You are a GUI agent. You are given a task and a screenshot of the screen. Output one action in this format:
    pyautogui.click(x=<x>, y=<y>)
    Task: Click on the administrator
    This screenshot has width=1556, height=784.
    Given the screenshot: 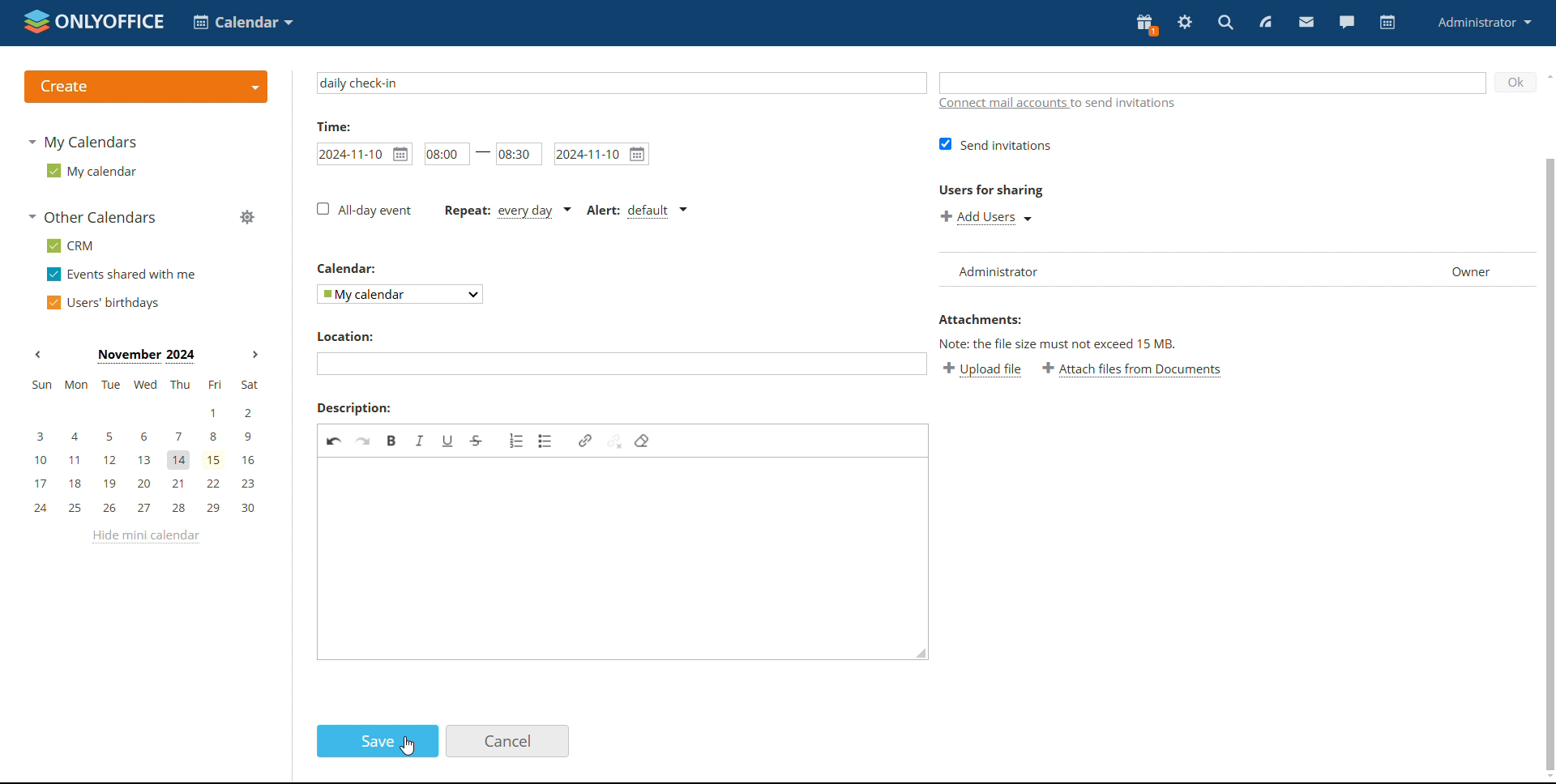 What is the action you would take?
    pyautogui.click(x=1483, y=21)
    